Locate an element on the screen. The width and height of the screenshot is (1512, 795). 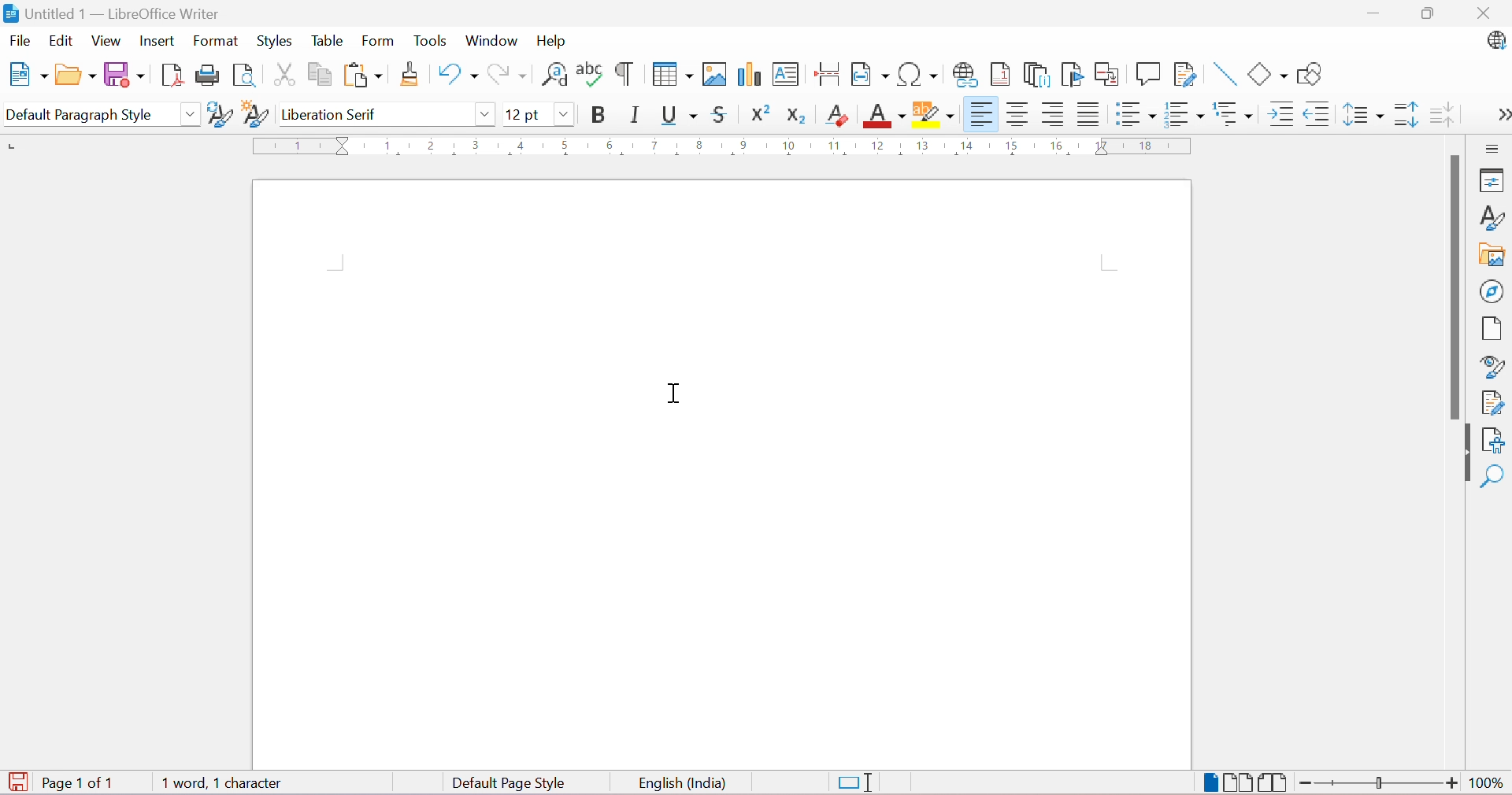
Save is located at coordinates (124, 74).